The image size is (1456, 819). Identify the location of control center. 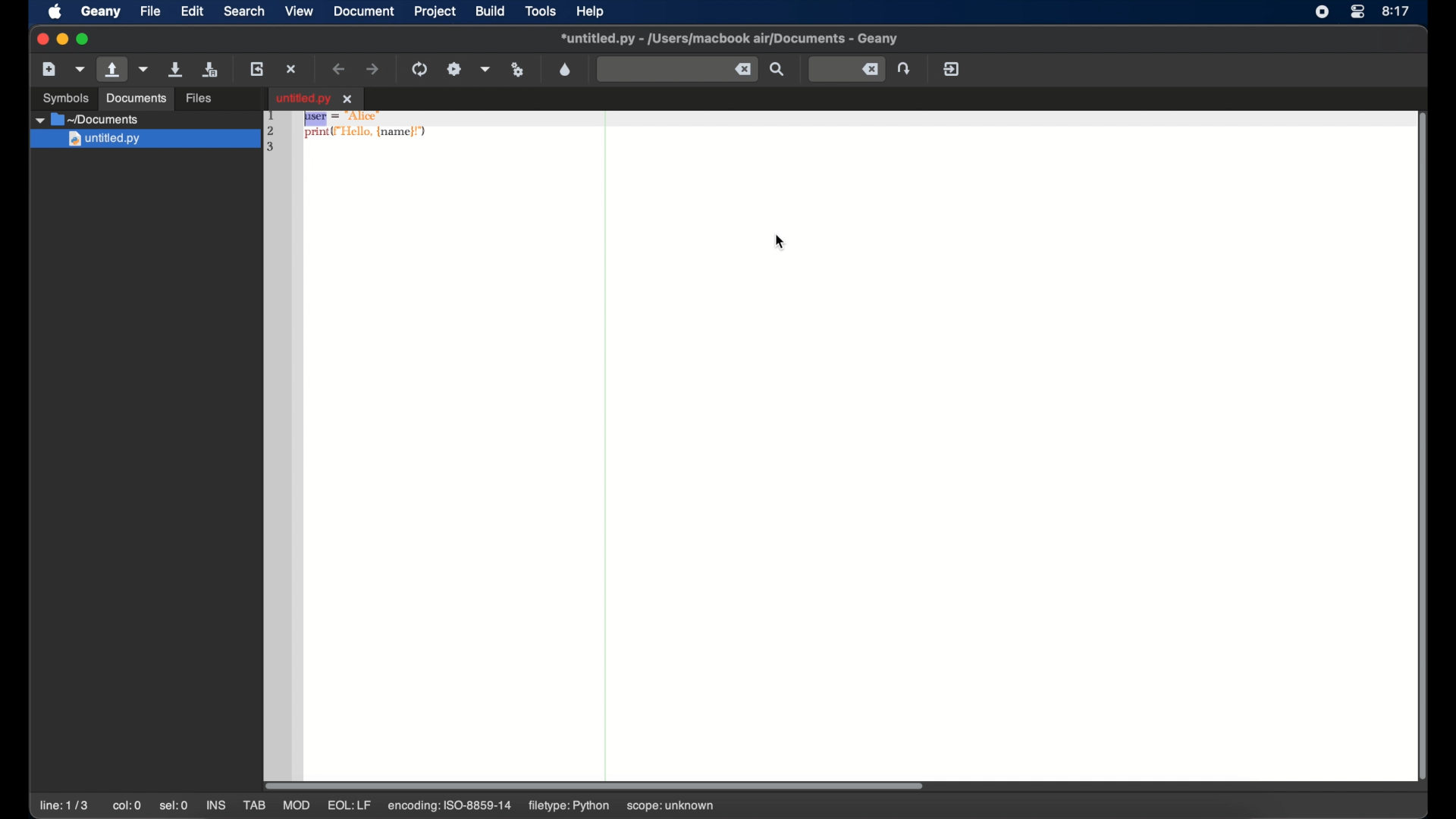
(1357, 12).